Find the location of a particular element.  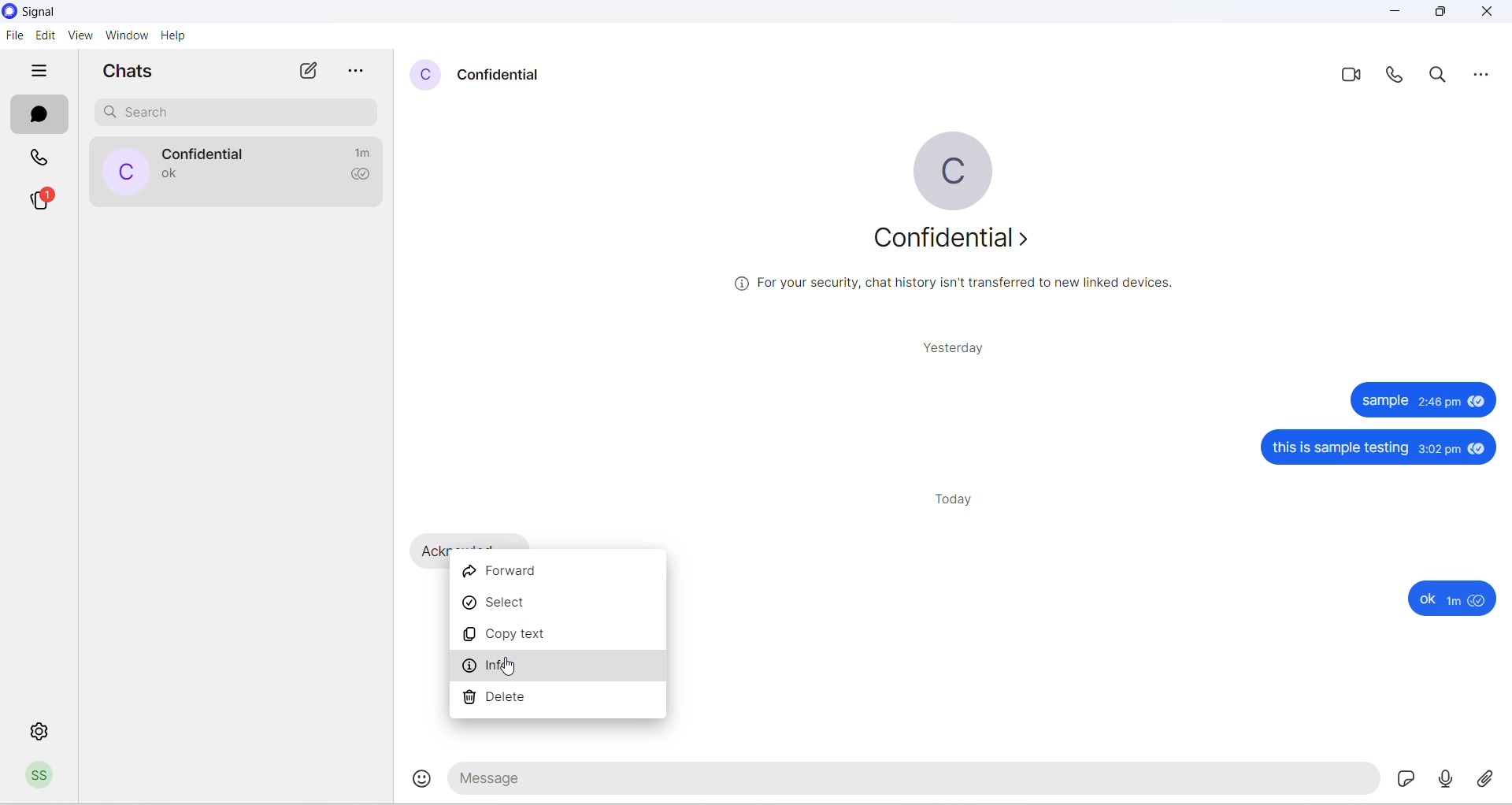

maximize is located at coordinates (1445, 12).